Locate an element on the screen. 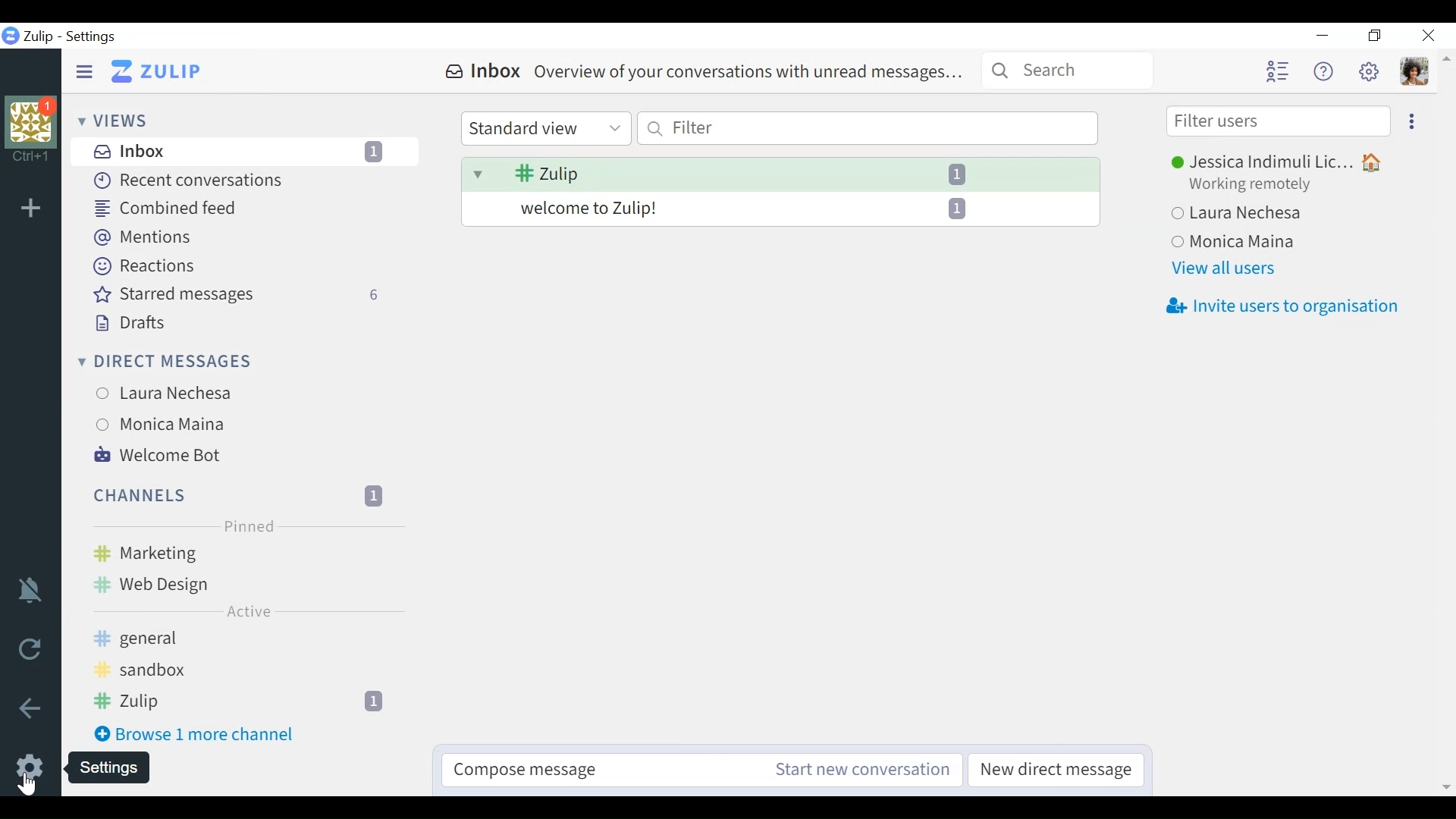 This screenshot has width=1456, height=819. minimize is located at coordinates (1320, 35).